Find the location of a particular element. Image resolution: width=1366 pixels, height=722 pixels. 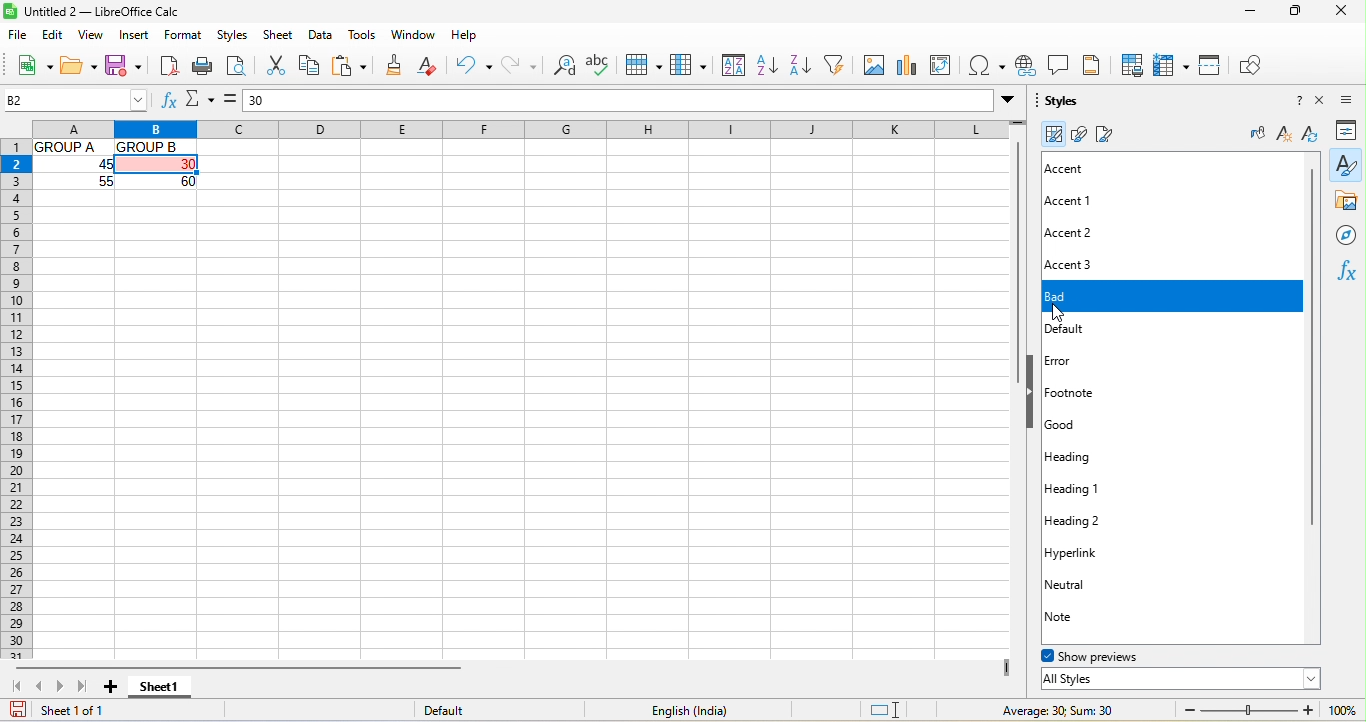

minimize is located at coordinates (1248, 11).